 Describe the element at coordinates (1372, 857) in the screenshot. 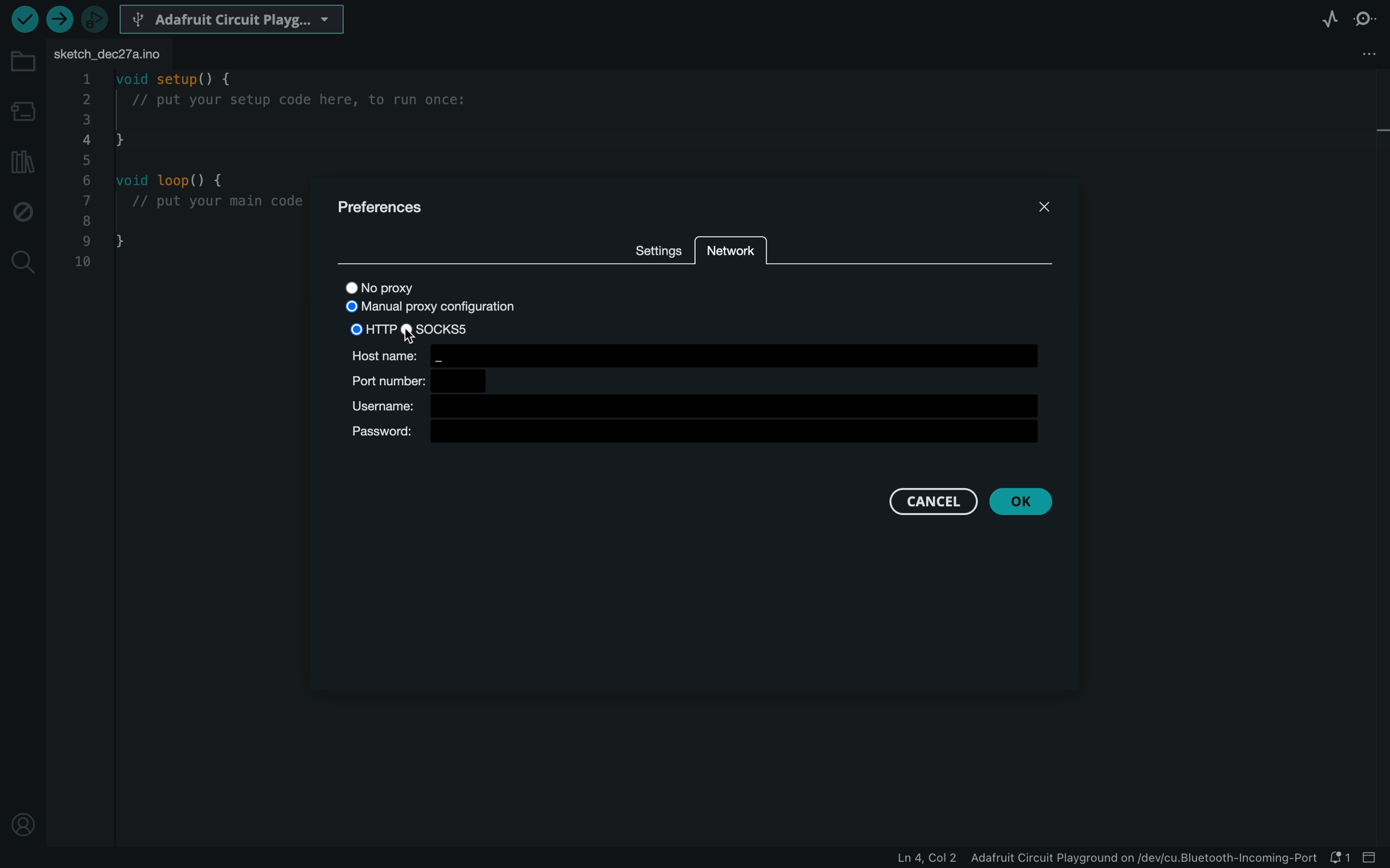

I see `close slide bar` at that location.